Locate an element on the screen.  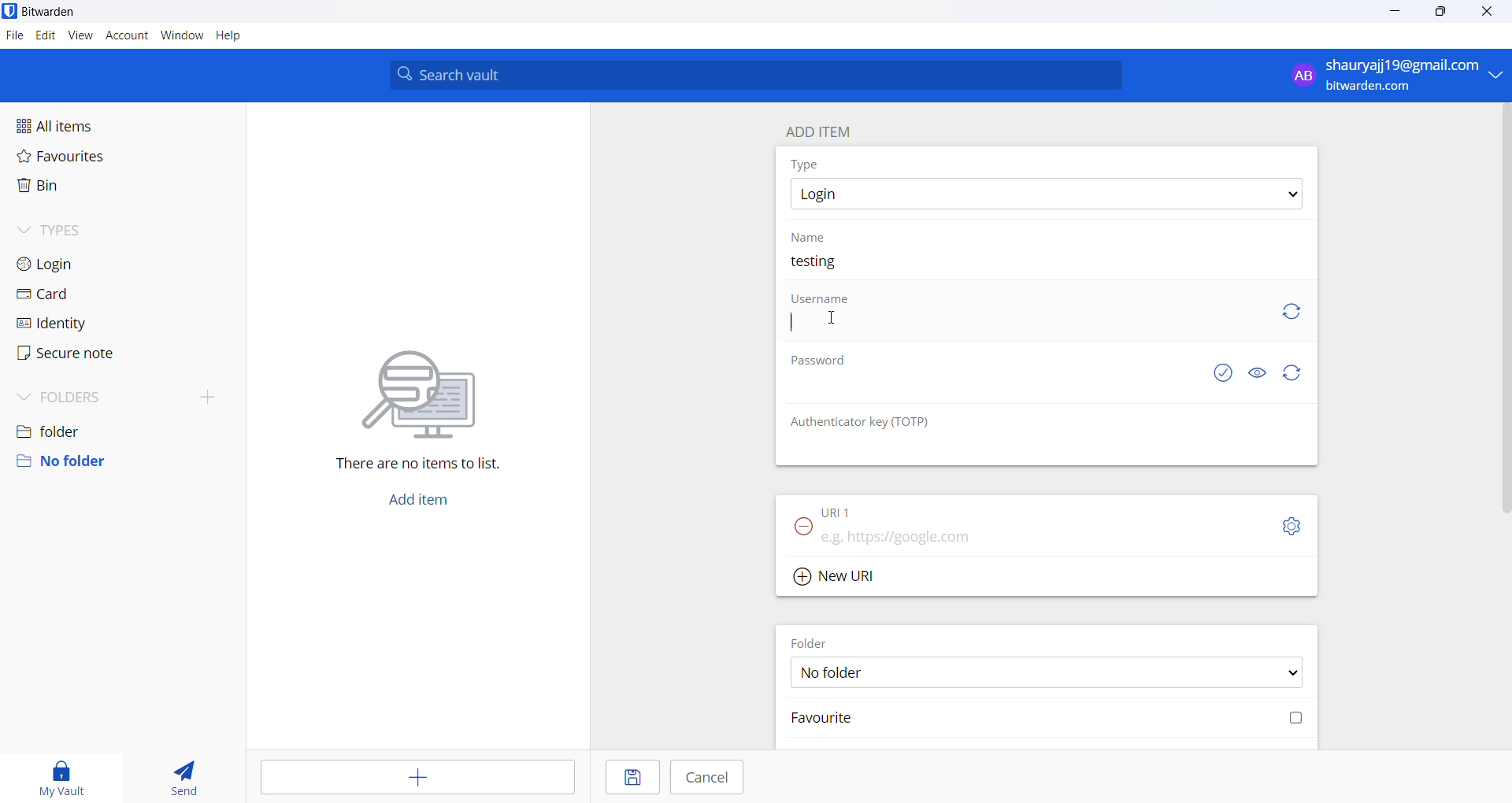
add entry is located at coordinates (414, 775).